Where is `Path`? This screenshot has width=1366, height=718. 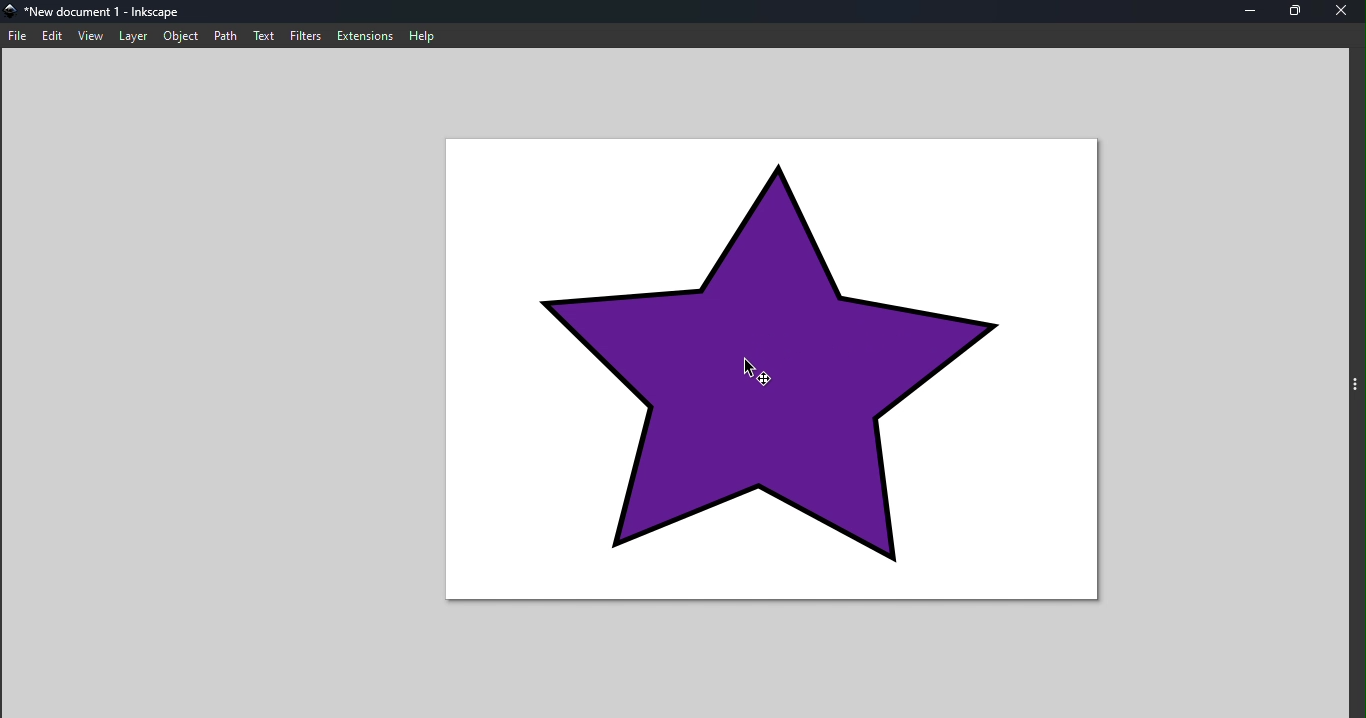
Path is located at coordinates (223, 36).